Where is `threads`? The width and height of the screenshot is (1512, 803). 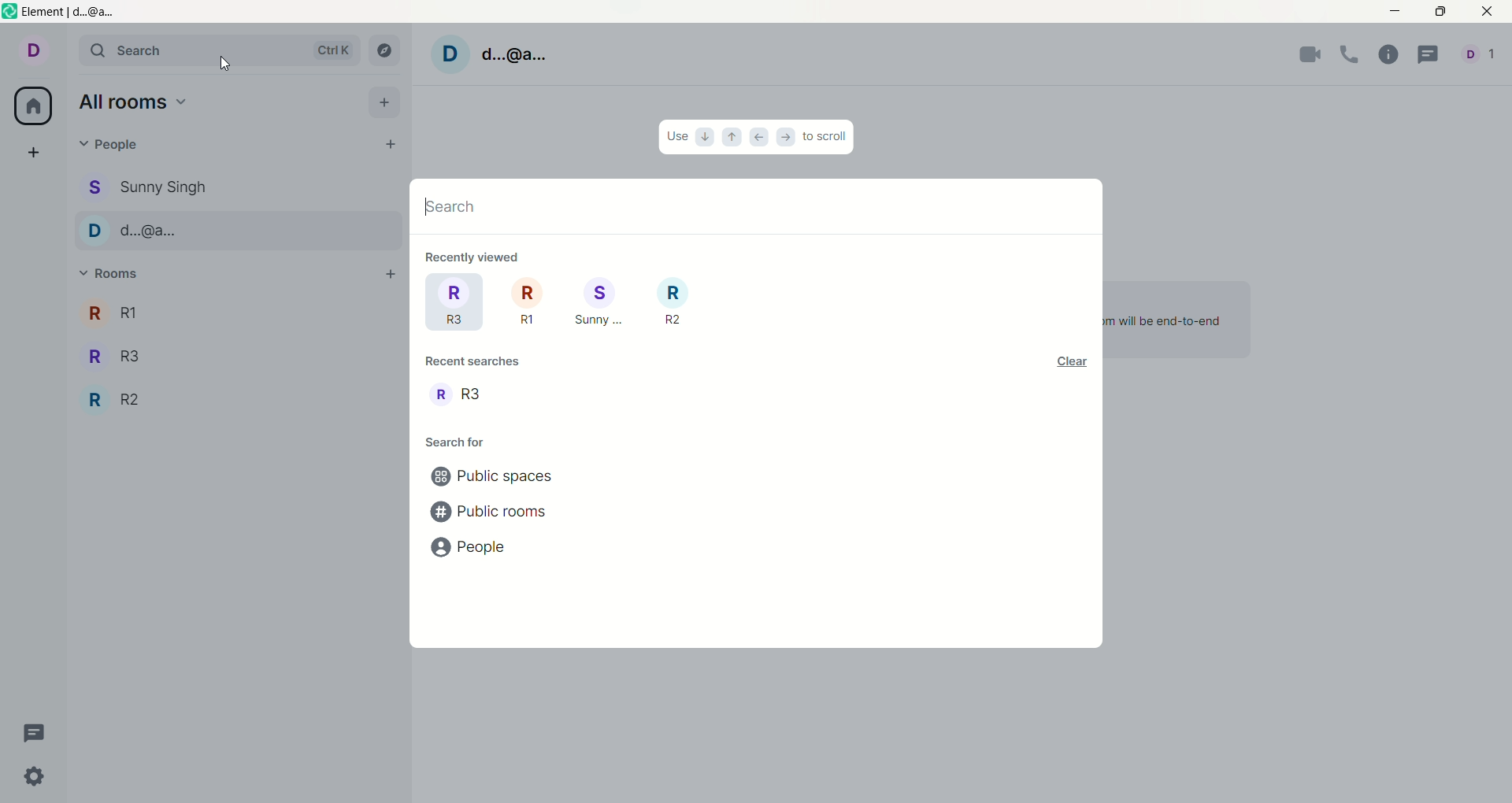
threads is located at coordinates (41, 734).